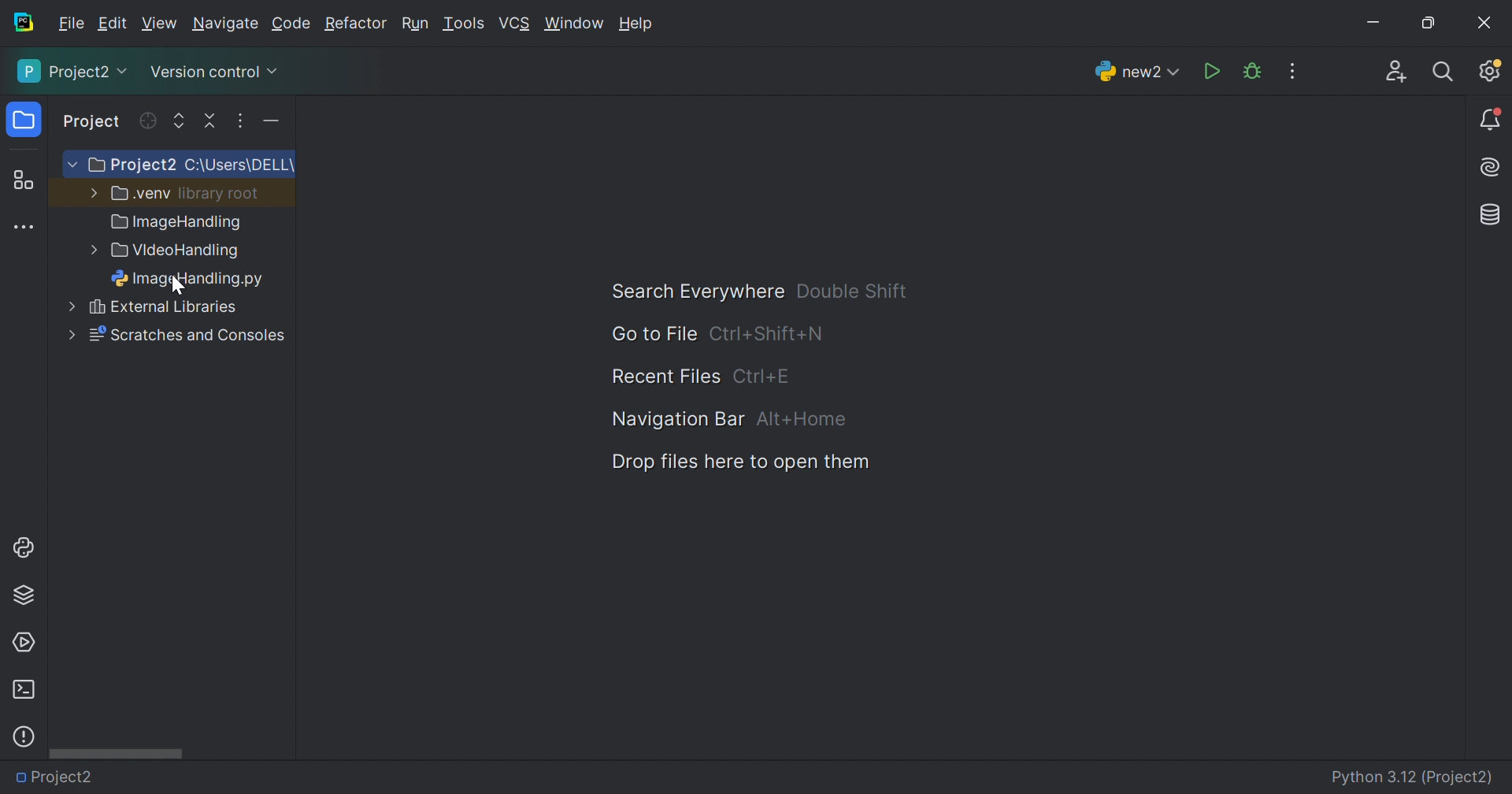 This screenshot has width=1512, height=794. Describe the element at coordinates (690, 292) in the screenshot. I see `Search Everywhere` at that location.